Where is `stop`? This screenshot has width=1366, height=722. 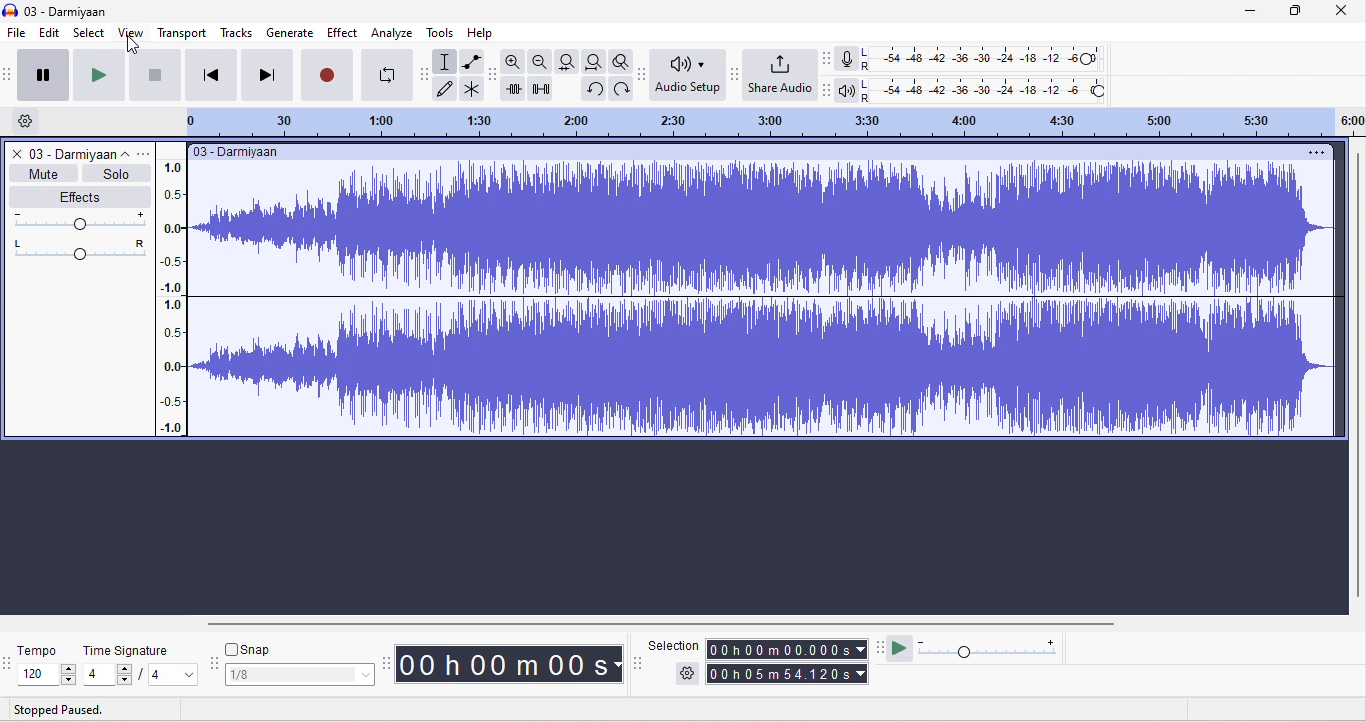
stop is located at coordinates (155, 74).